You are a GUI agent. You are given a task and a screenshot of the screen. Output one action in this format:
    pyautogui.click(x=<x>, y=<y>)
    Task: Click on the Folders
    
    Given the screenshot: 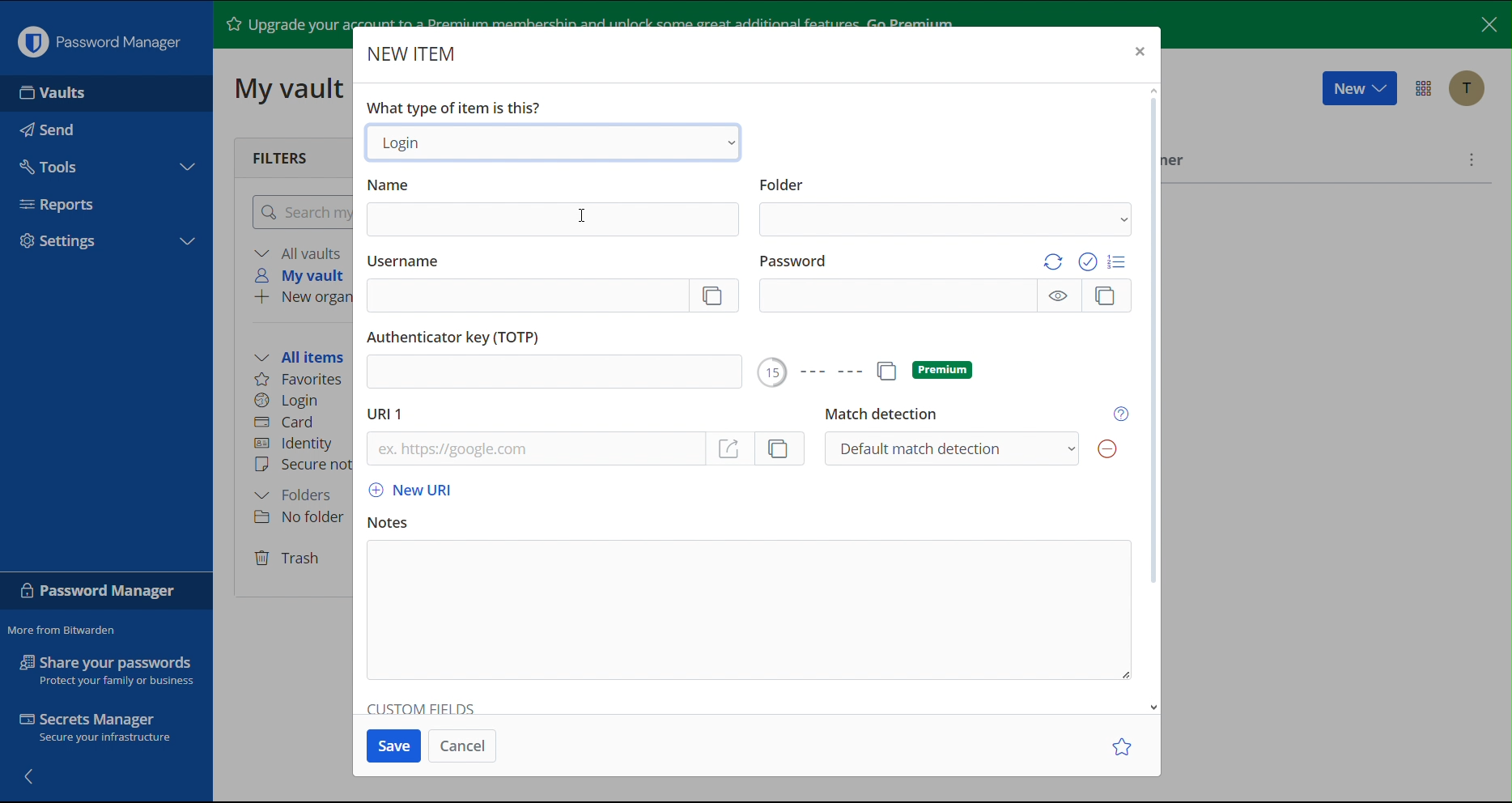 What is the action you would take?
    pyautogui.click(x=295, y=495)
    